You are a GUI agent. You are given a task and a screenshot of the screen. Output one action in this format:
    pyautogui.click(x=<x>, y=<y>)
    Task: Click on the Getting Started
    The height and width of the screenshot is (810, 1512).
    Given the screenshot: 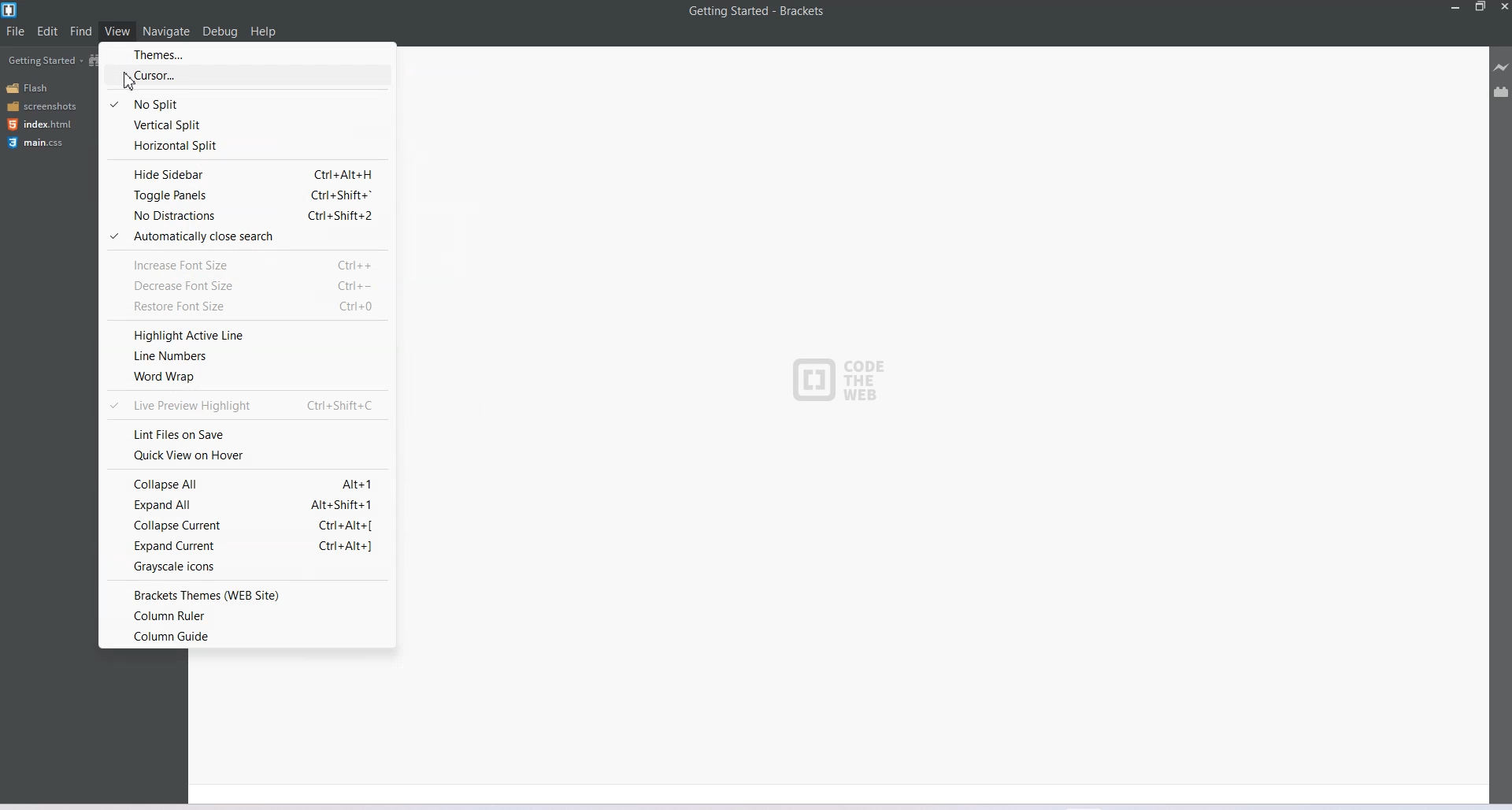 What is the action you would take?
    pyautogui.click(x=45, y=60)
    